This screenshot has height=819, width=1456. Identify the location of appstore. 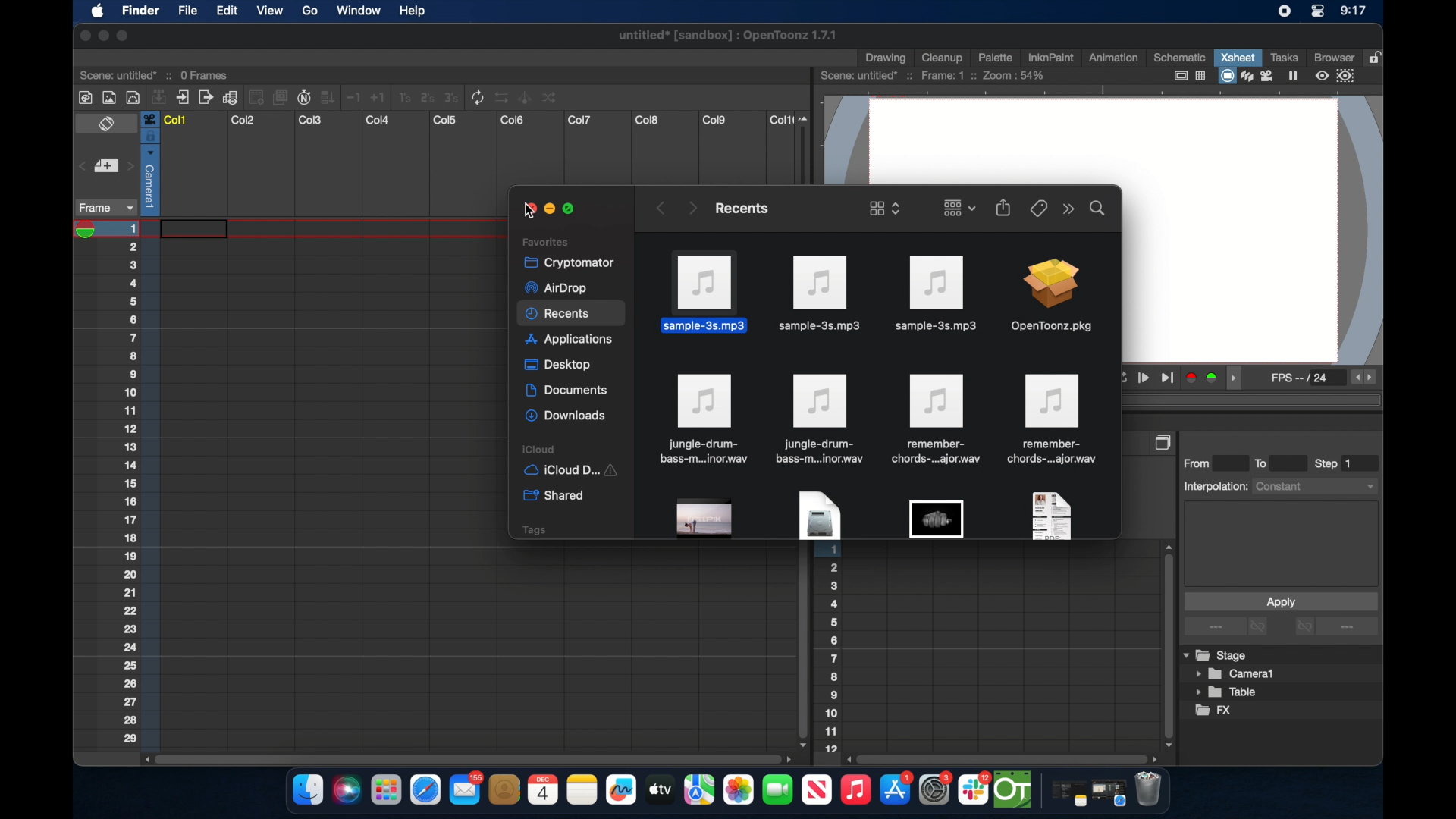
(896, 790).